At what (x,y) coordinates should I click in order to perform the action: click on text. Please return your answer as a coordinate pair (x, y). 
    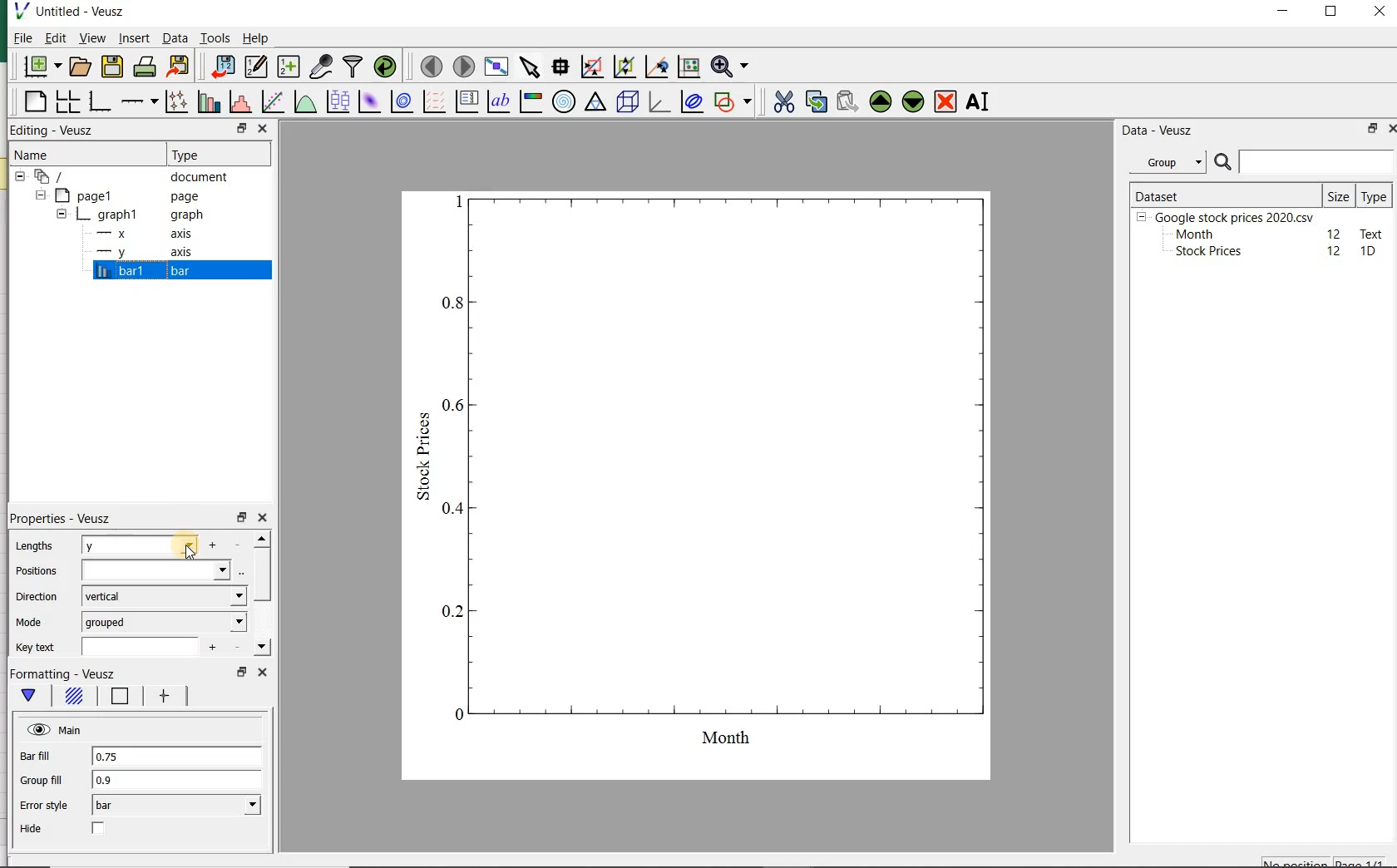
    Looking at the image, I should click on (1369, 233).